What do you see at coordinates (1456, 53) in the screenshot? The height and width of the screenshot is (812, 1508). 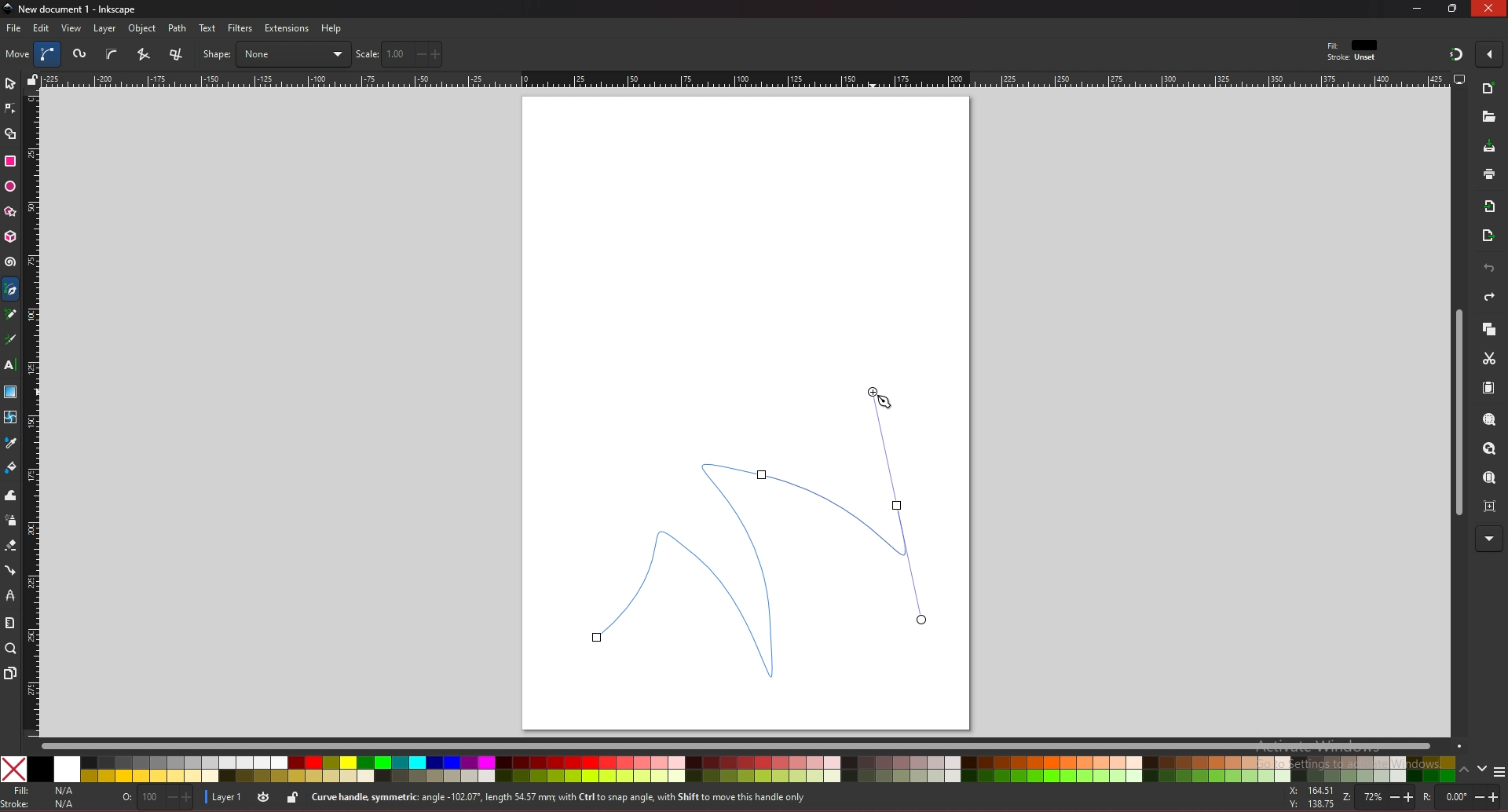 I see `snapping` at bounding box center [1456, 53].